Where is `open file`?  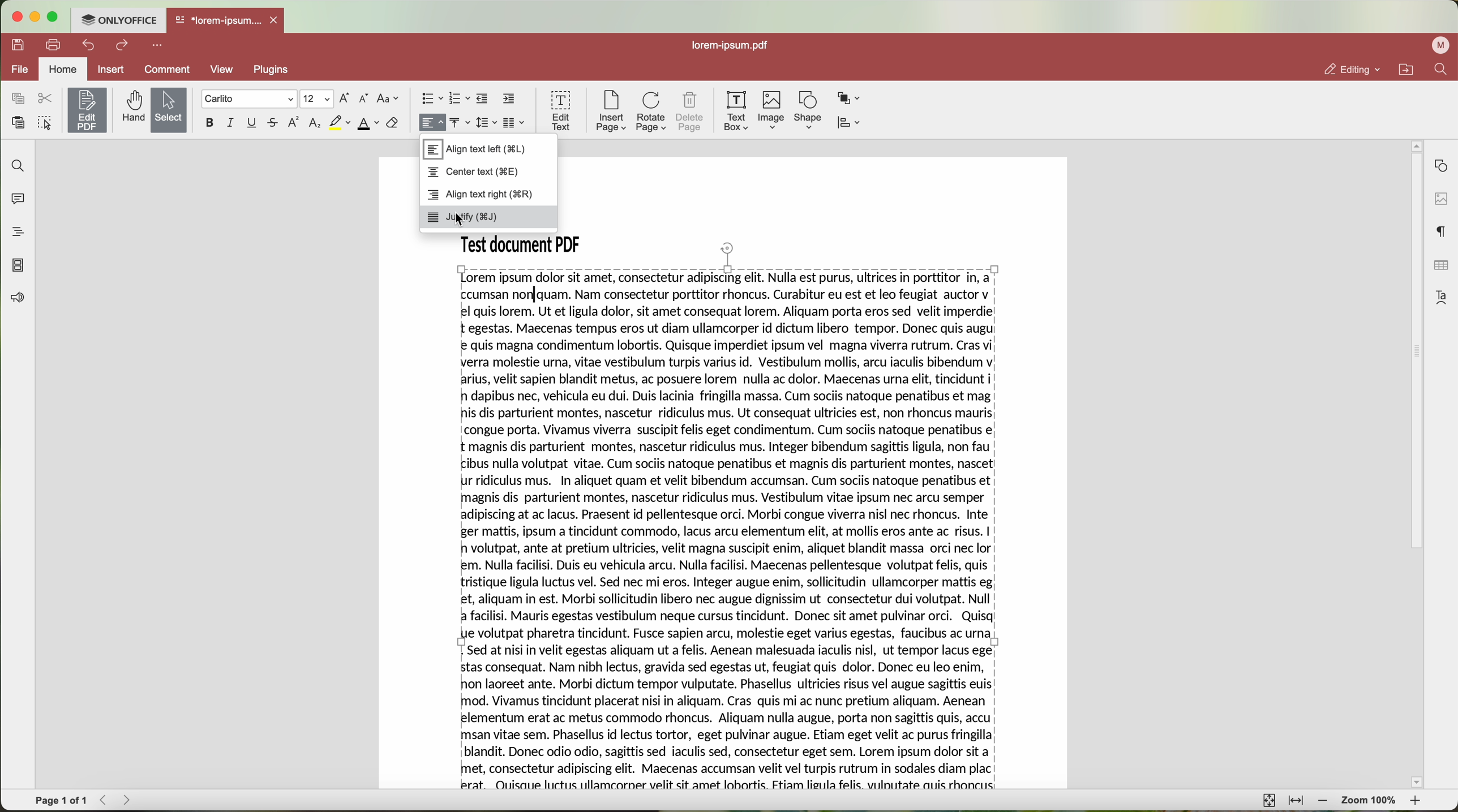 open file is located at coordinates (226, 22).